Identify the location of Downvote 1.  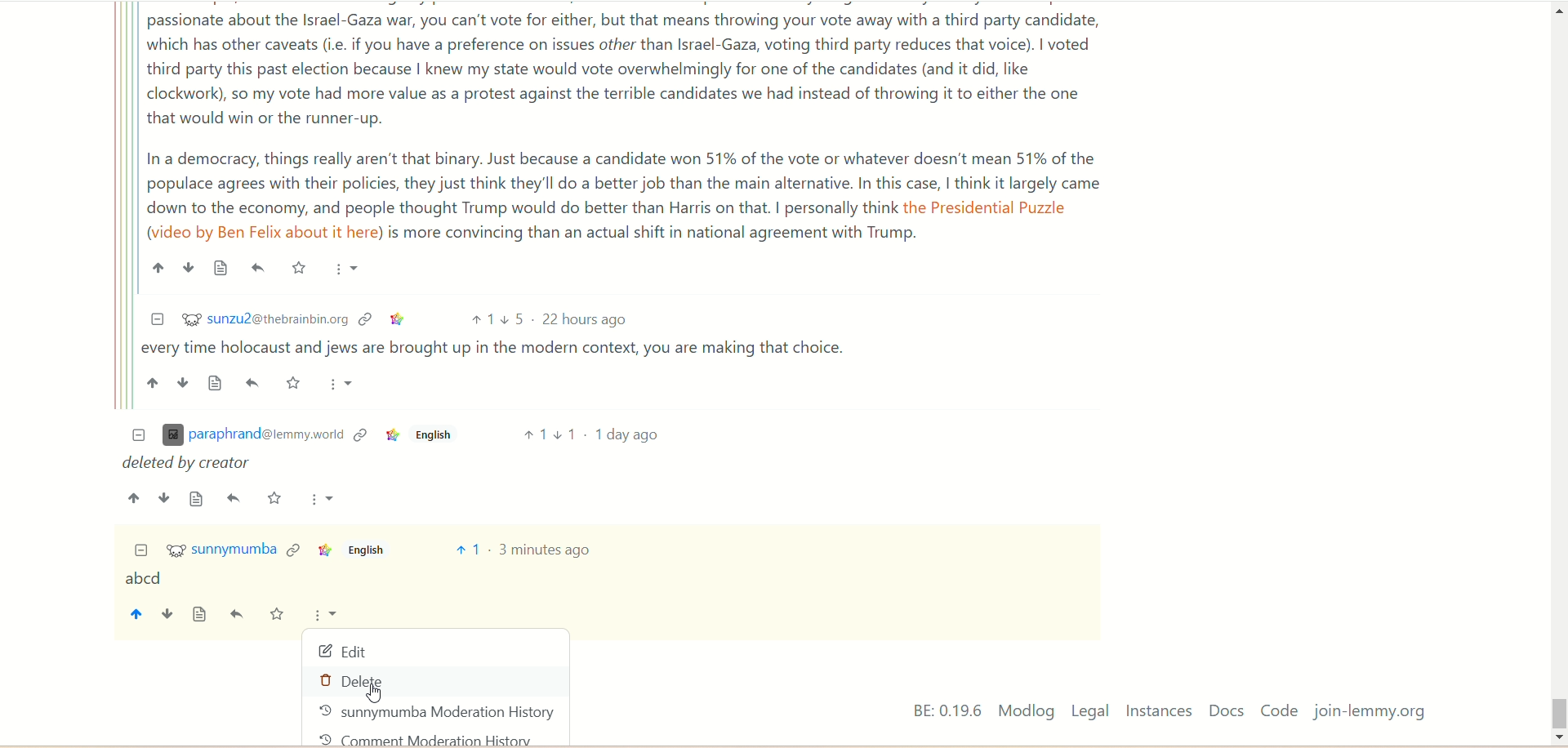
(566, 434).